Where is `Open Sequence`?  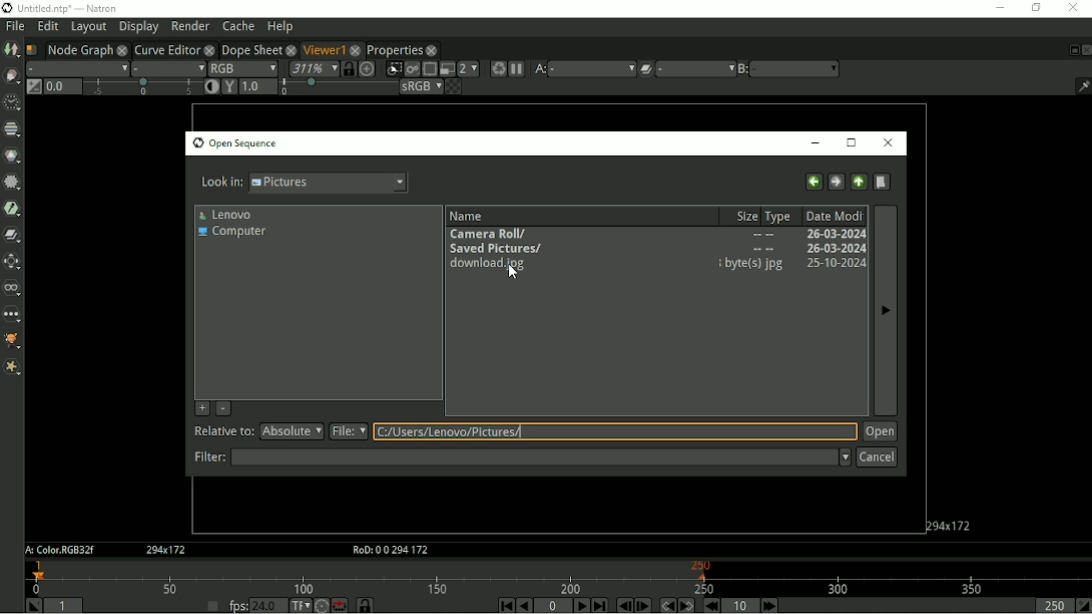 Open Sequence is located at coordinates (236, 143).